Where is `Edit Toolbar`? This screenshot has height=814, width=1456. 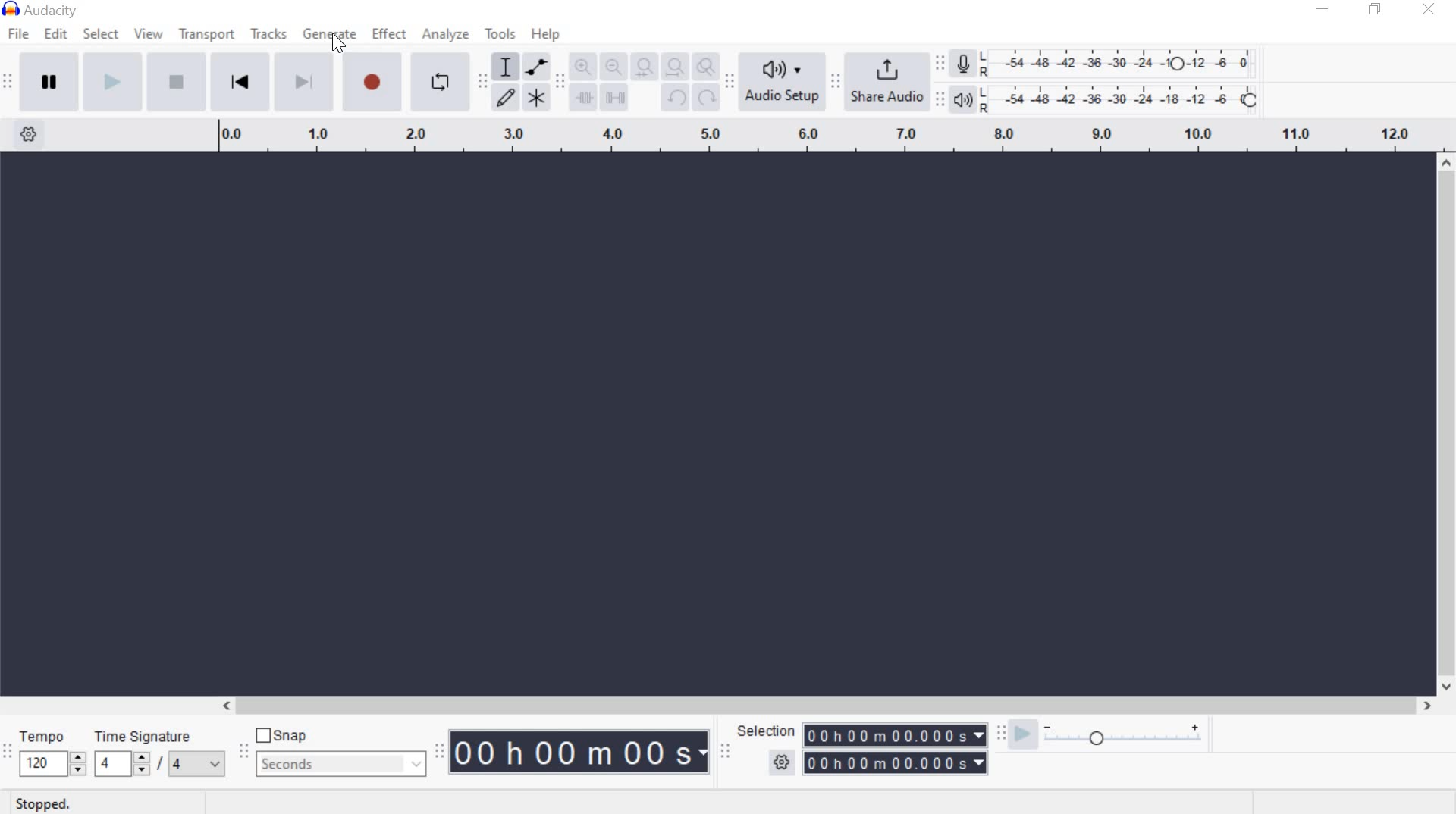
Edit Toolbar is located at coordinates (559, 84).